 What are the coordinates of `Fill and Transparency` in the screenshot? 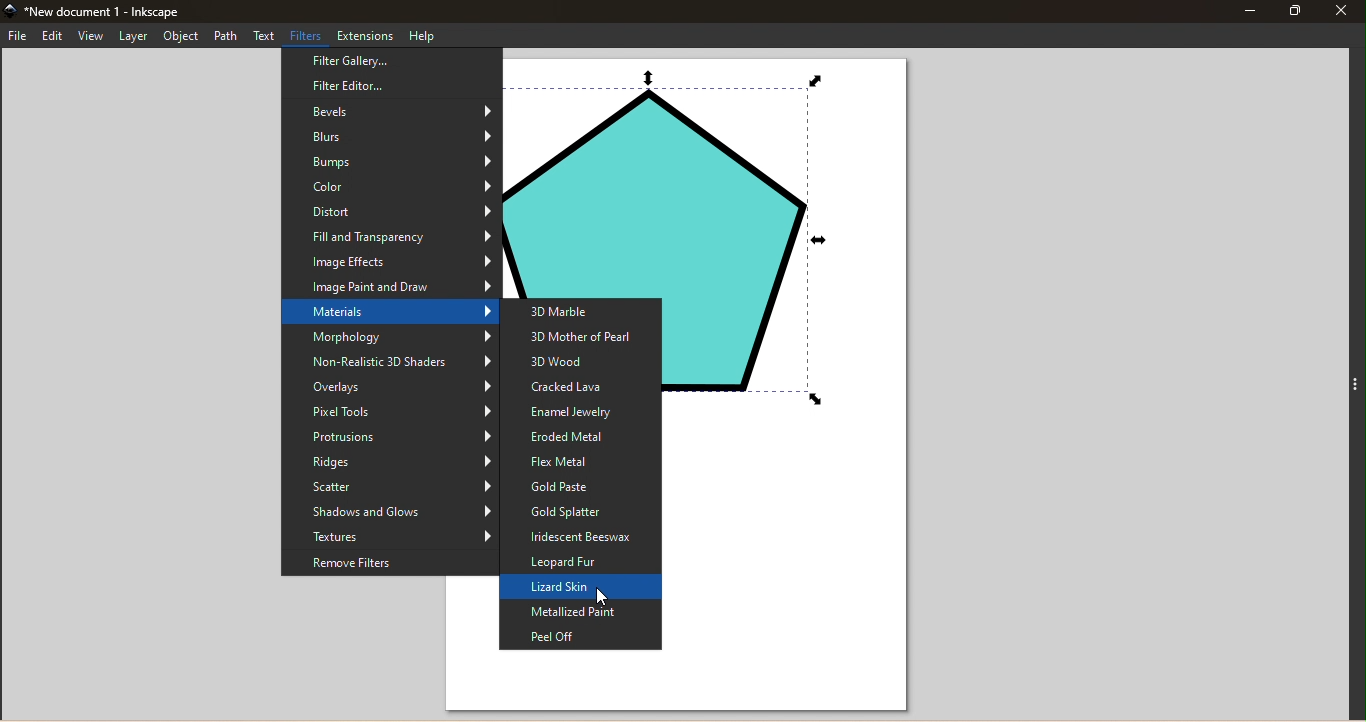 It's located at (387, 238).